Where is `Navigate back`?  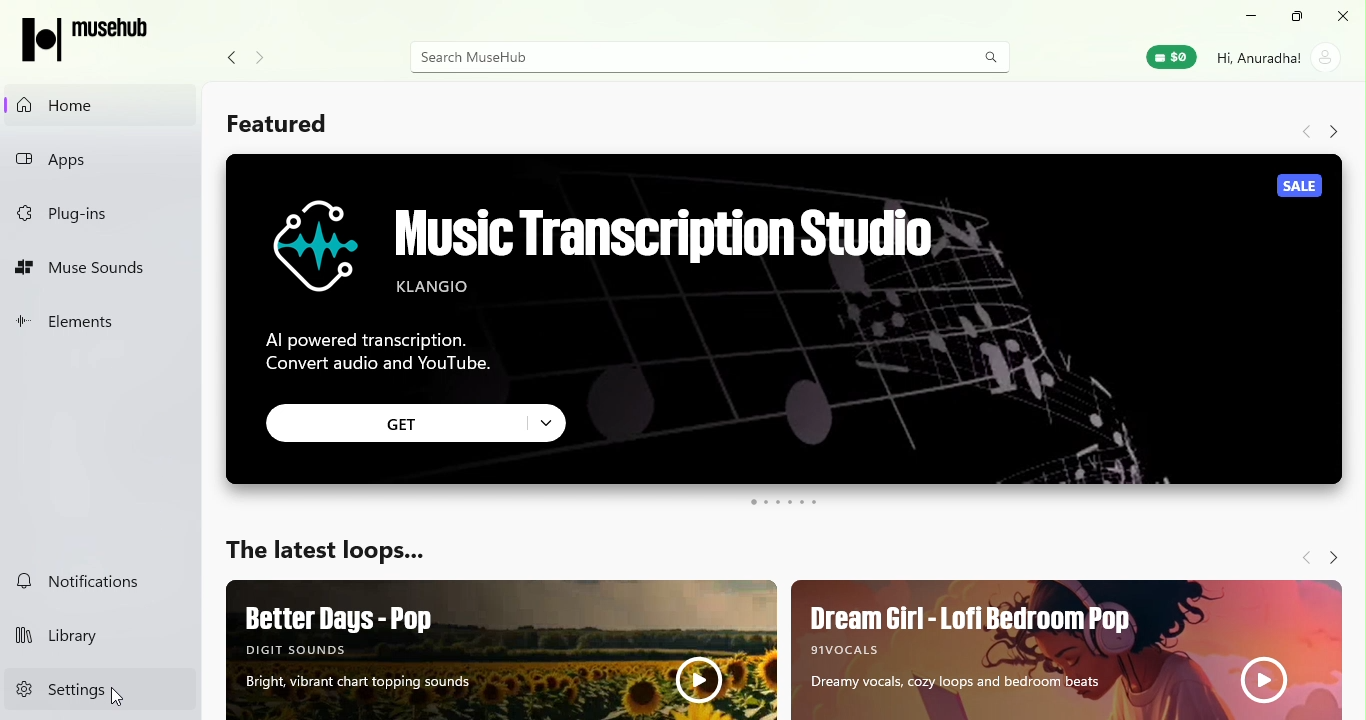
Navigate back is located at coordinates (1305, 131).